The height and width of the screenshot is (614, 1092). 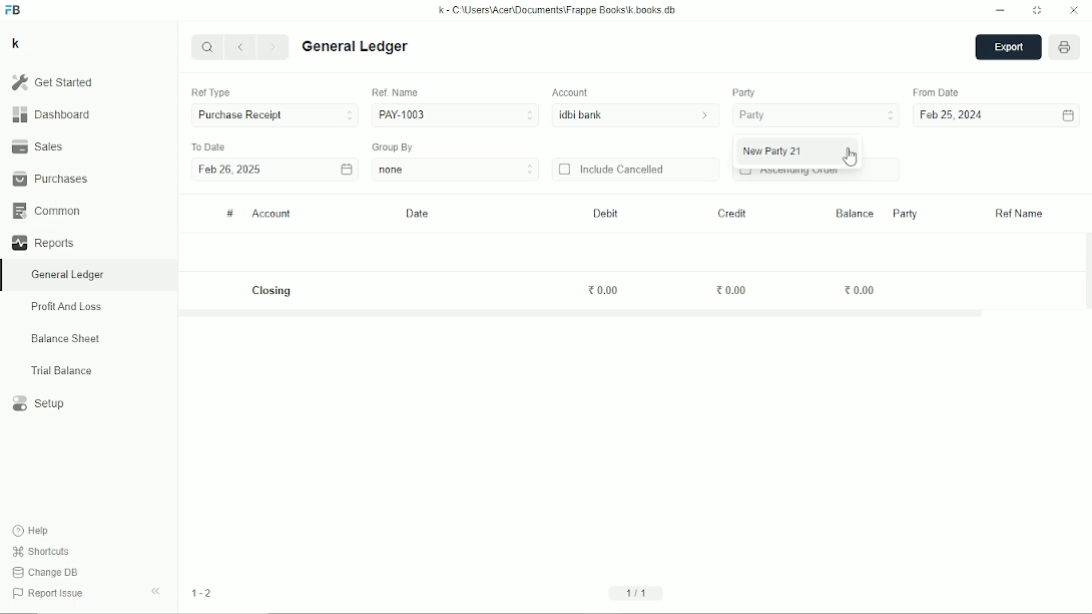 What do you see at coordinates (773, 151) in the screenshot?
I see `New party 21` at bounding box center [773, 151].